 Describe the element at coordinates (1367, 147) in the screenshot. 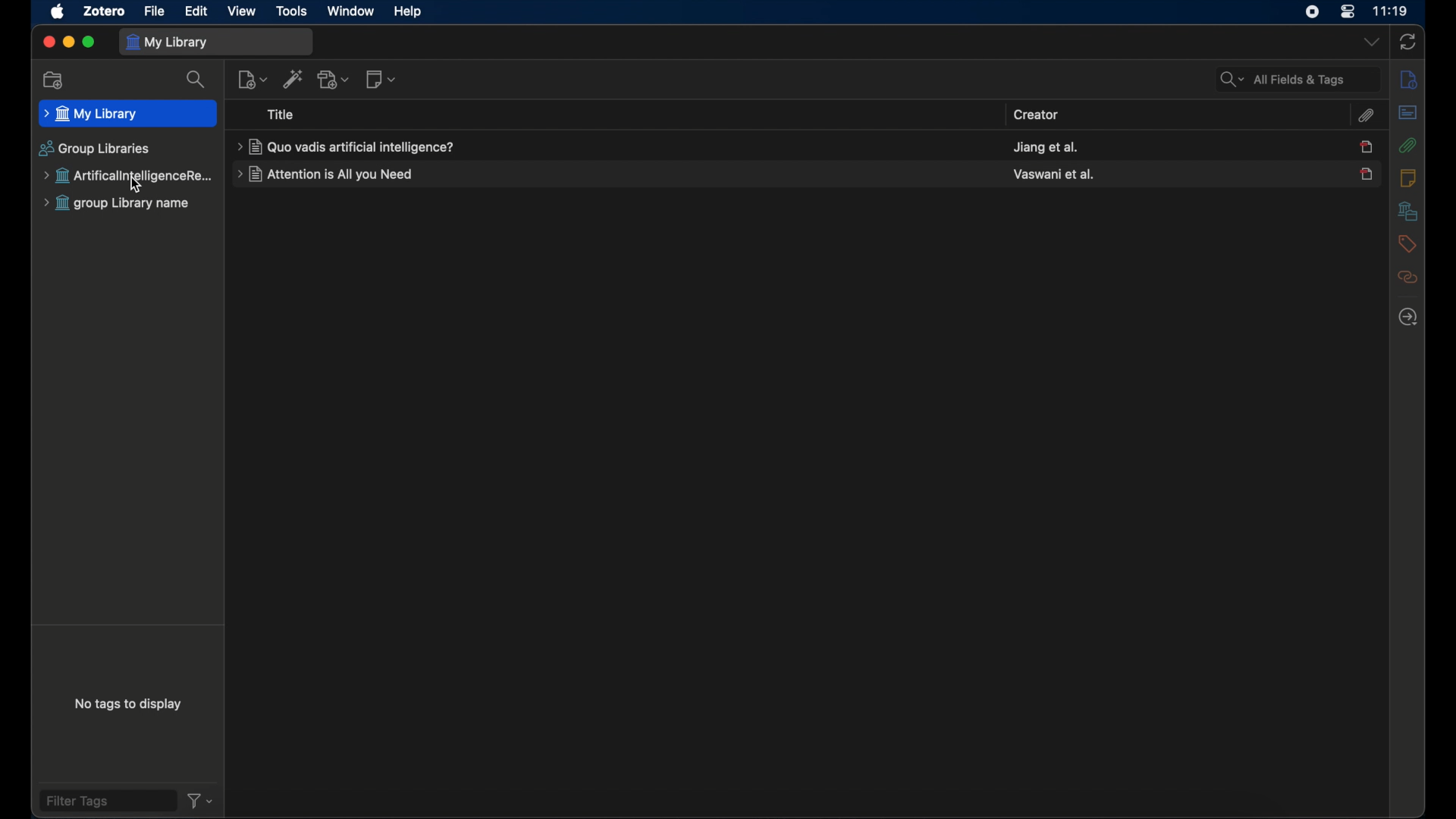

I see `item` at that location.